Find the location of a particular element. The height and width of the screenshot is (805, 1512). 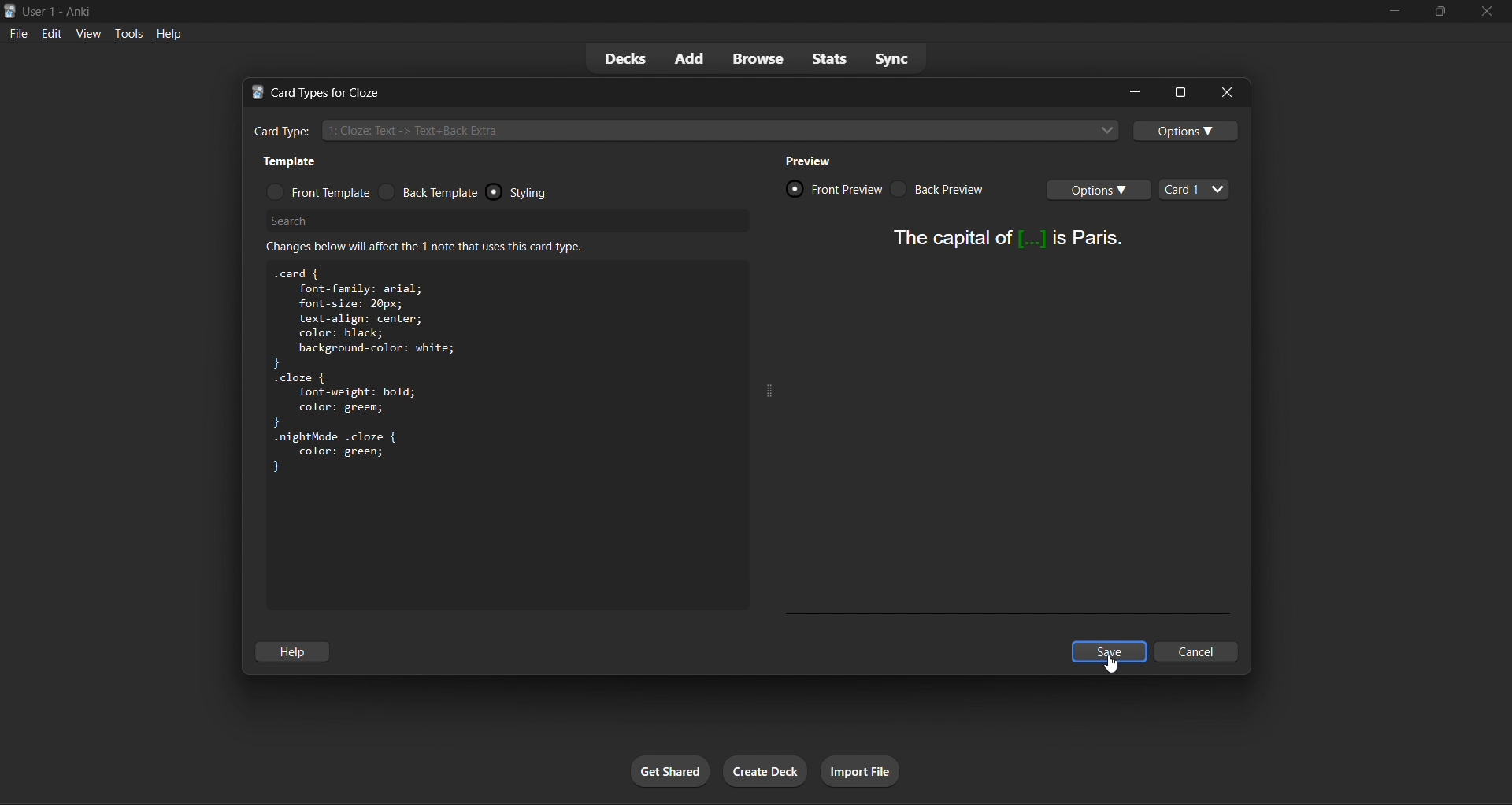

view is located at coordinates (89, 32).